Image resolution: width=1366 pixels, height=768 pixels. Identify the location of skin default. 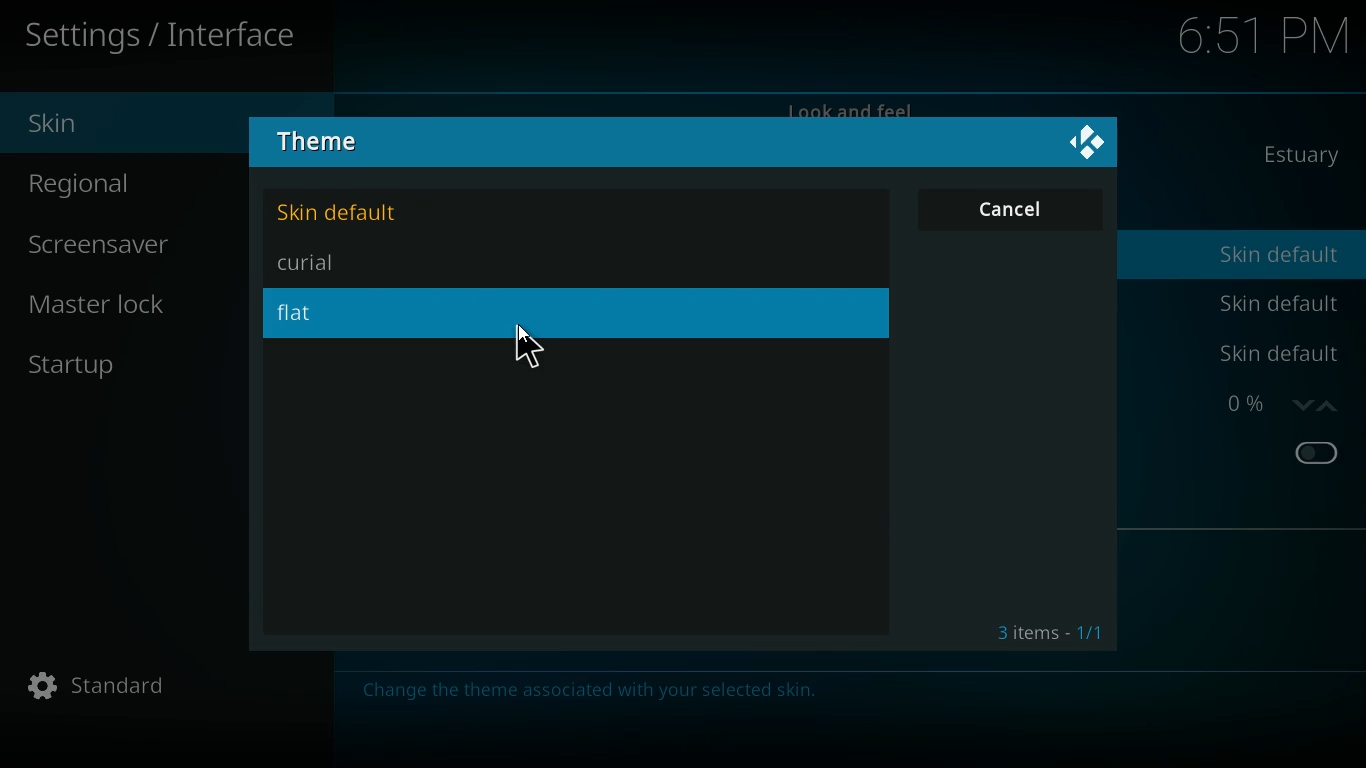
(353, 213).